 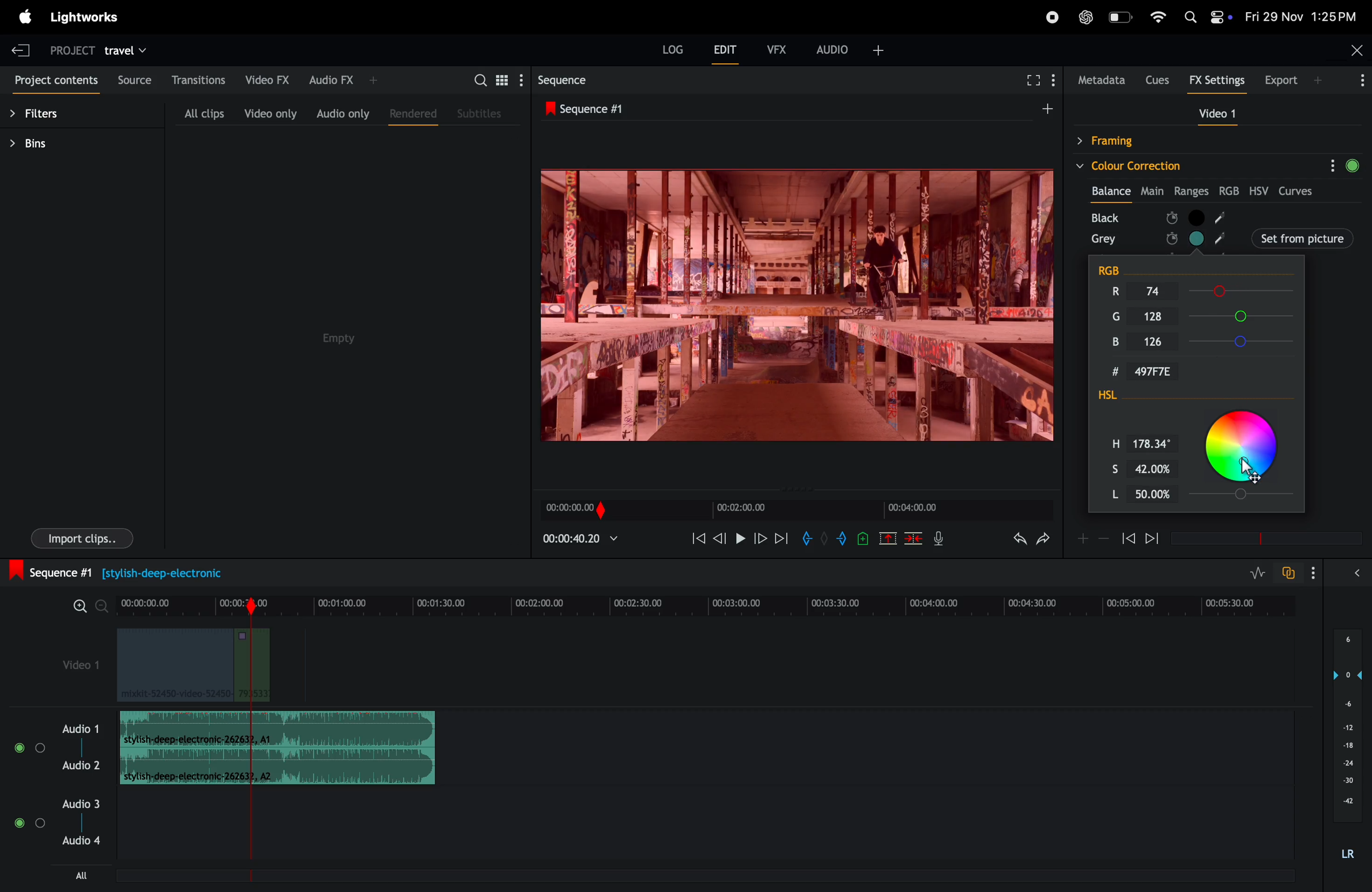 I want to click on toggle, so click(x=18, y=748).